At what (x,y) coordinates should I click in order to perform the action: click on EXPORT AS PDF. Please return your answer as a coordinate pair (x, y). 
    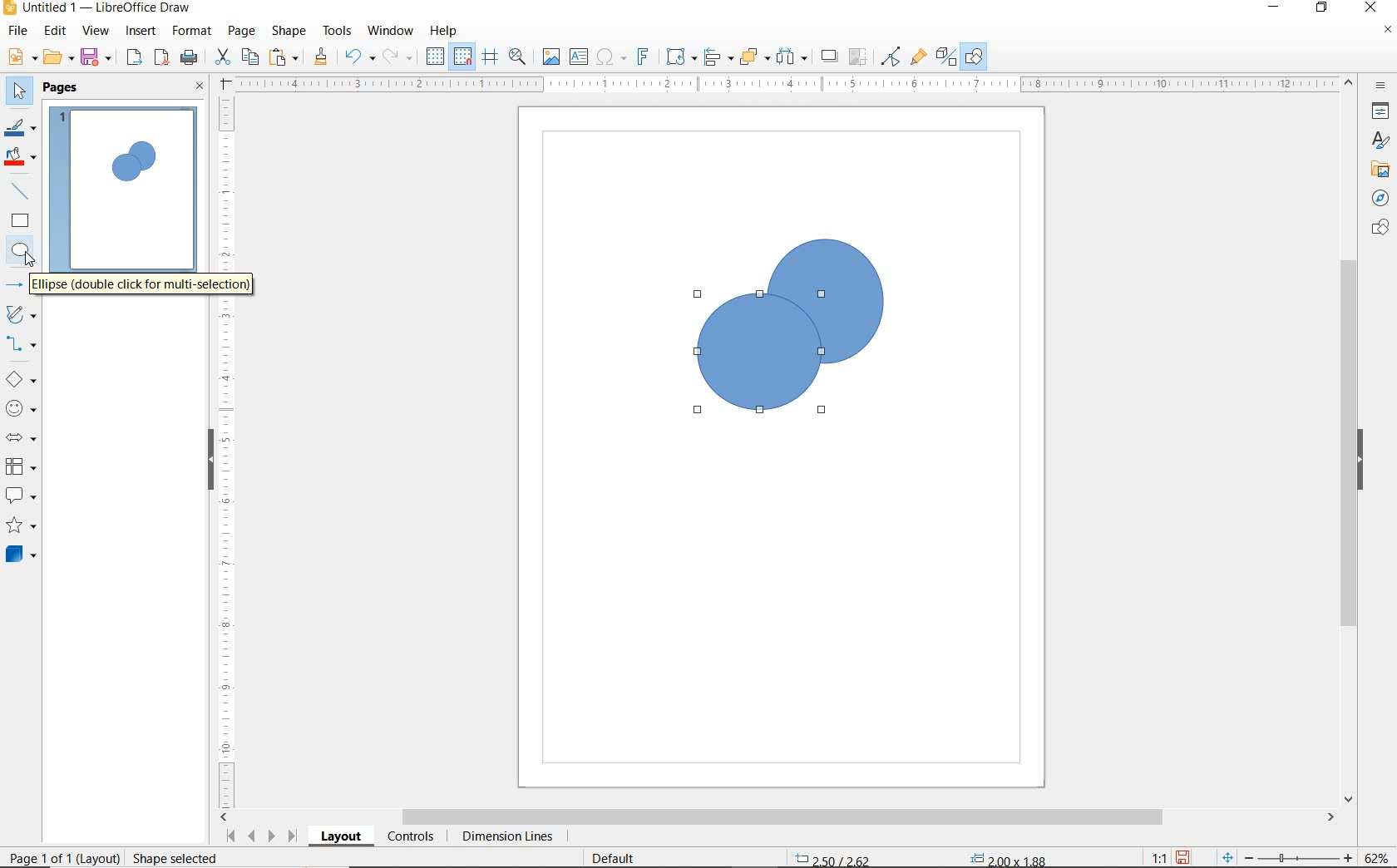
    Looking at the image, I should click on (162, 59).